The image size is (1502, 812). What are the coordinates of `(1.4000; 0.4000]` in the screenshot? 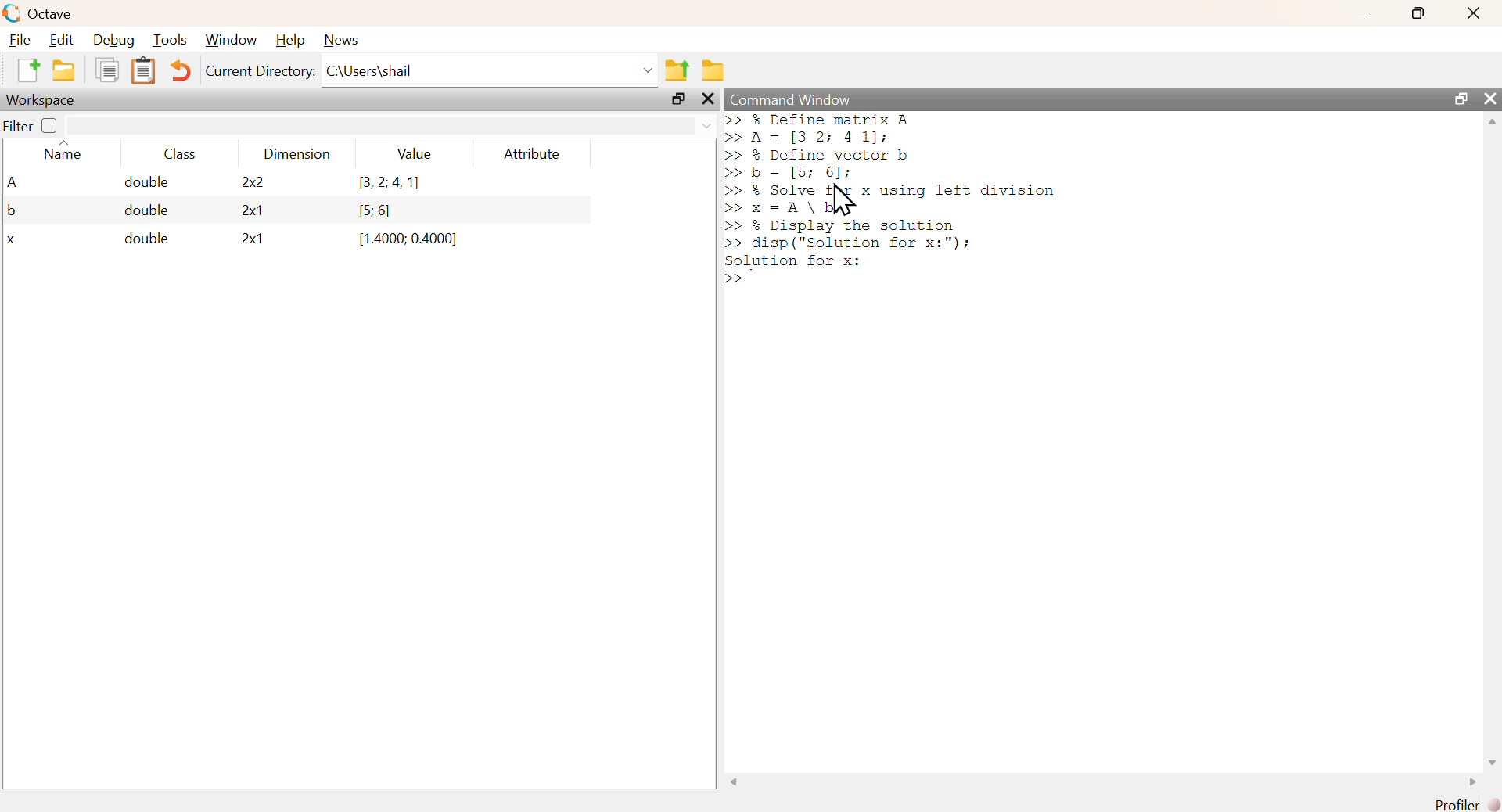 It's located at (401, 240).